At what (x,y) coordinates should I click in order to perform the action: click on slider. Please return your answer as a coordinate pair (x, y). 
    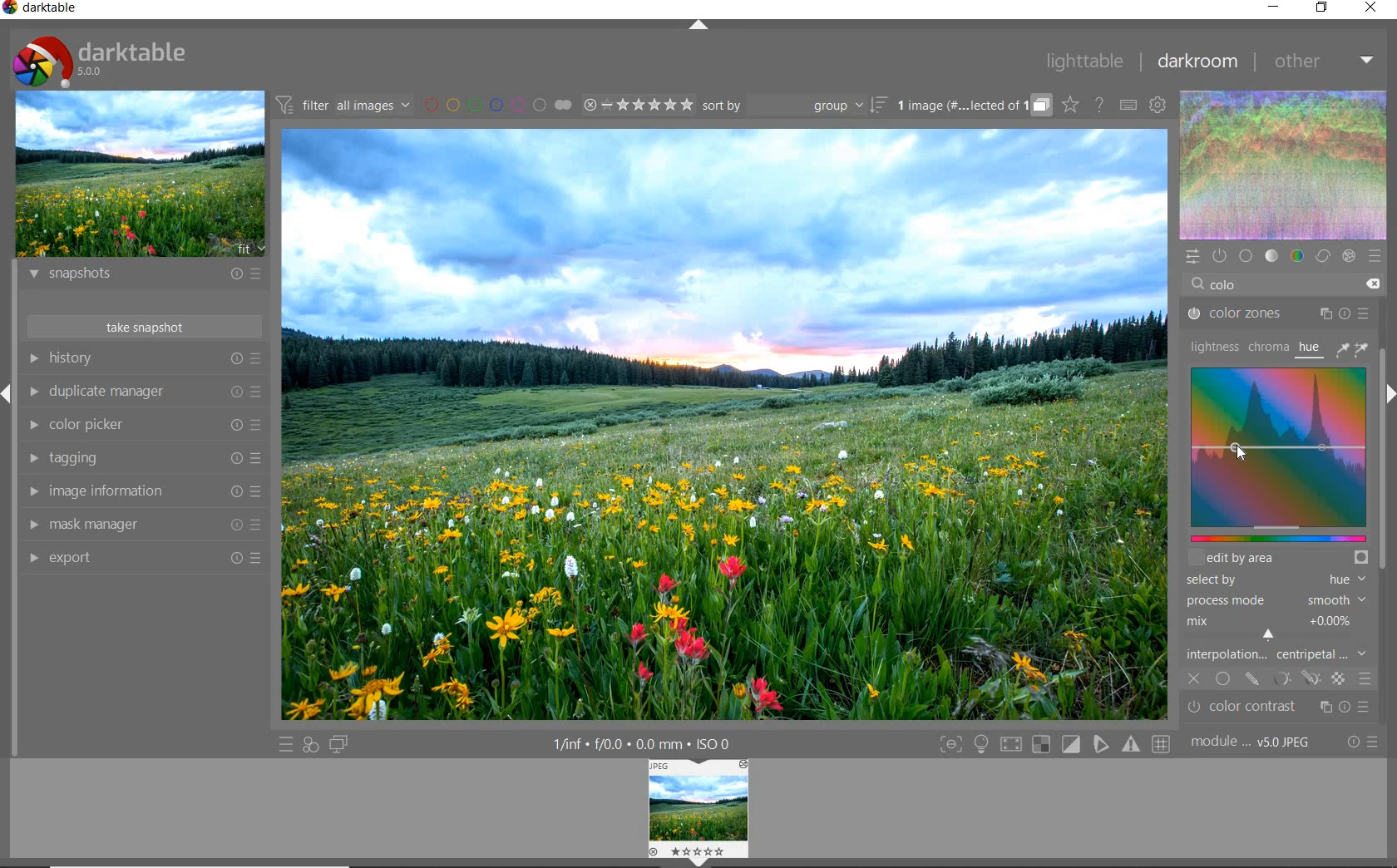
    Looking at the image, I should click on (1276, 538).